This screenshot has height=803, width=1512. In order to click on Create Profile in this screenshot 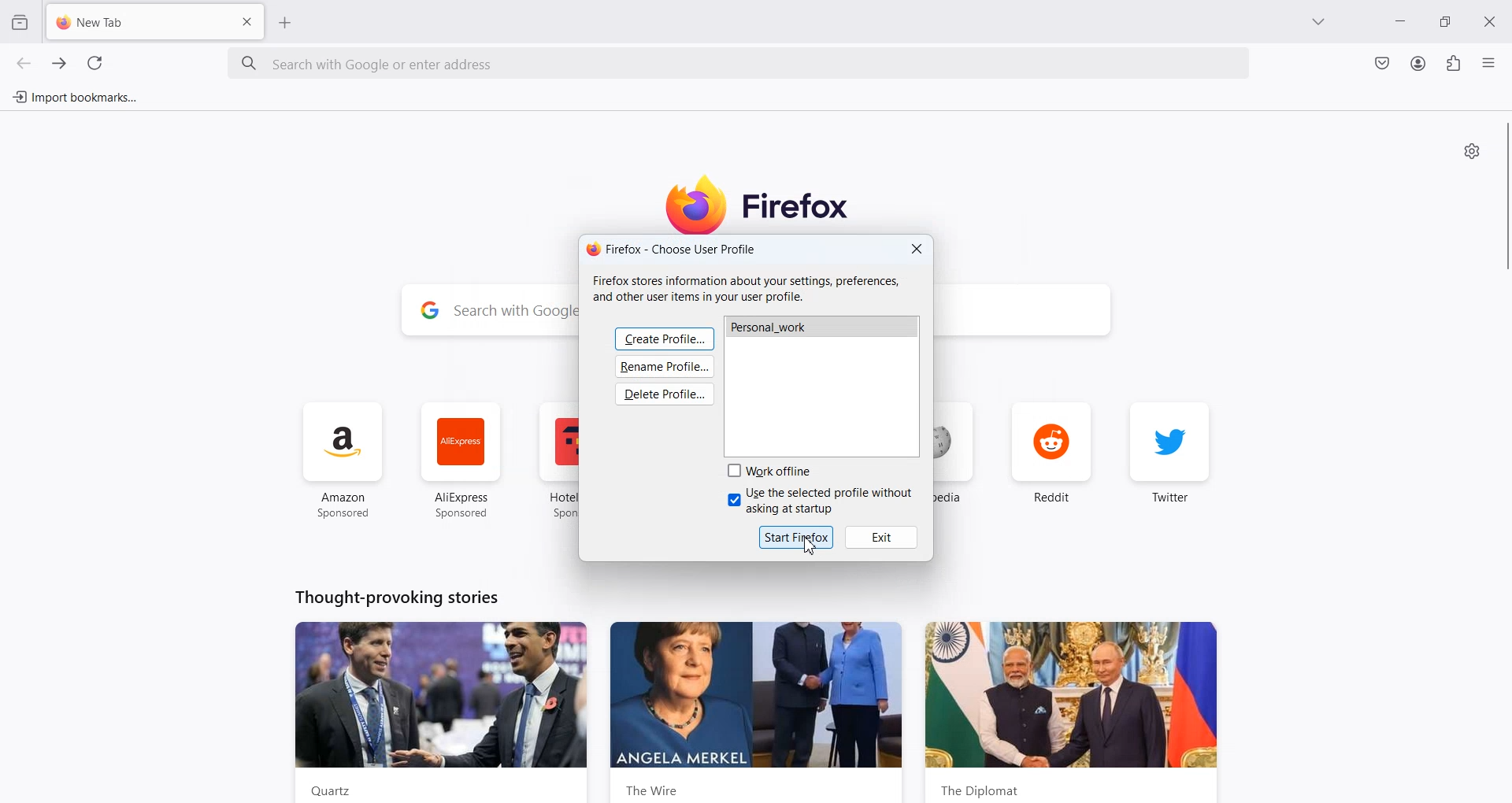, I will do `click(664, 338)`.